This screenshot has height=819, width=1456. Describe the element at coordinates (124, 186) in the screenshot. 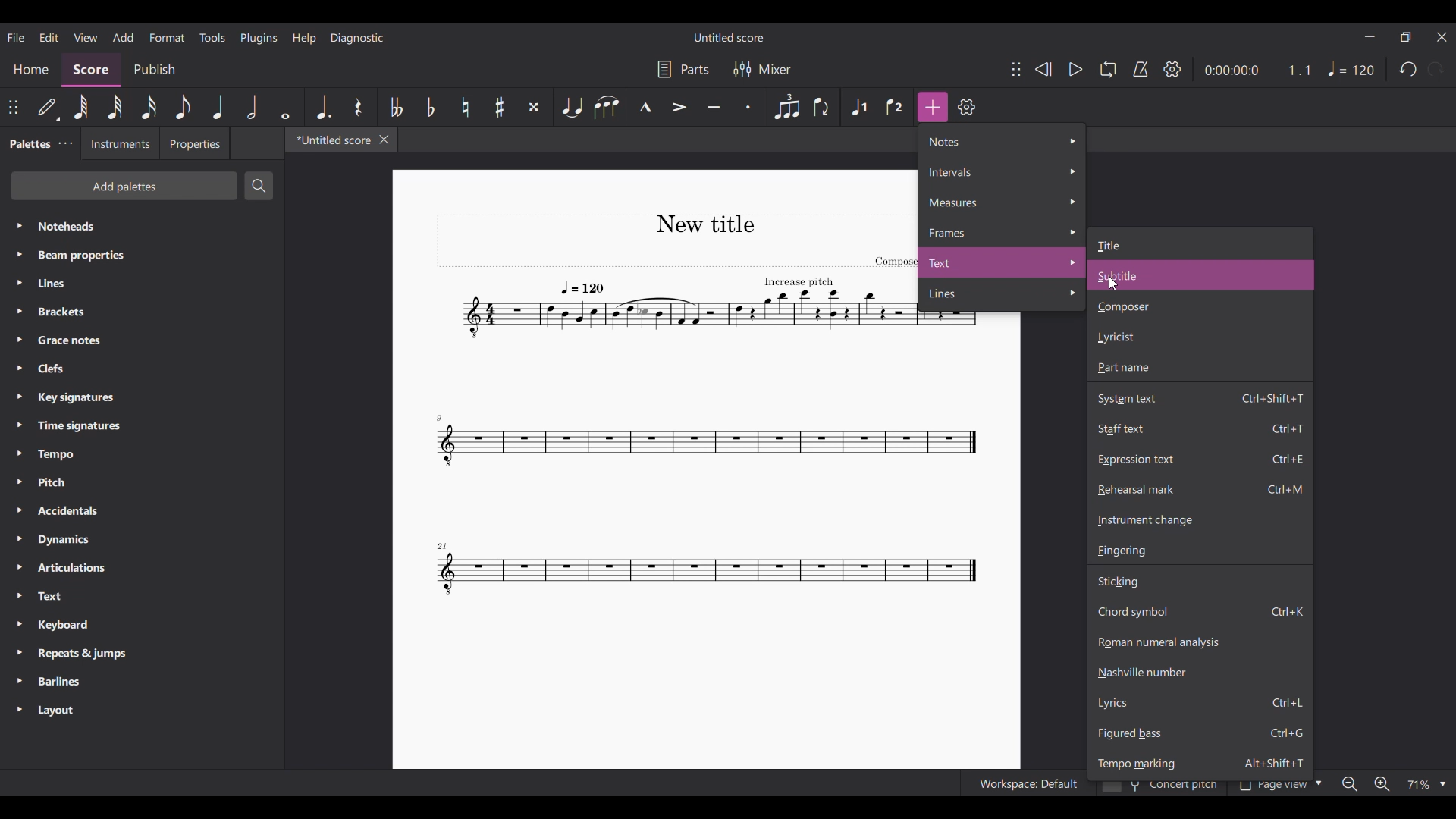

I see `Add palettes` at that location.